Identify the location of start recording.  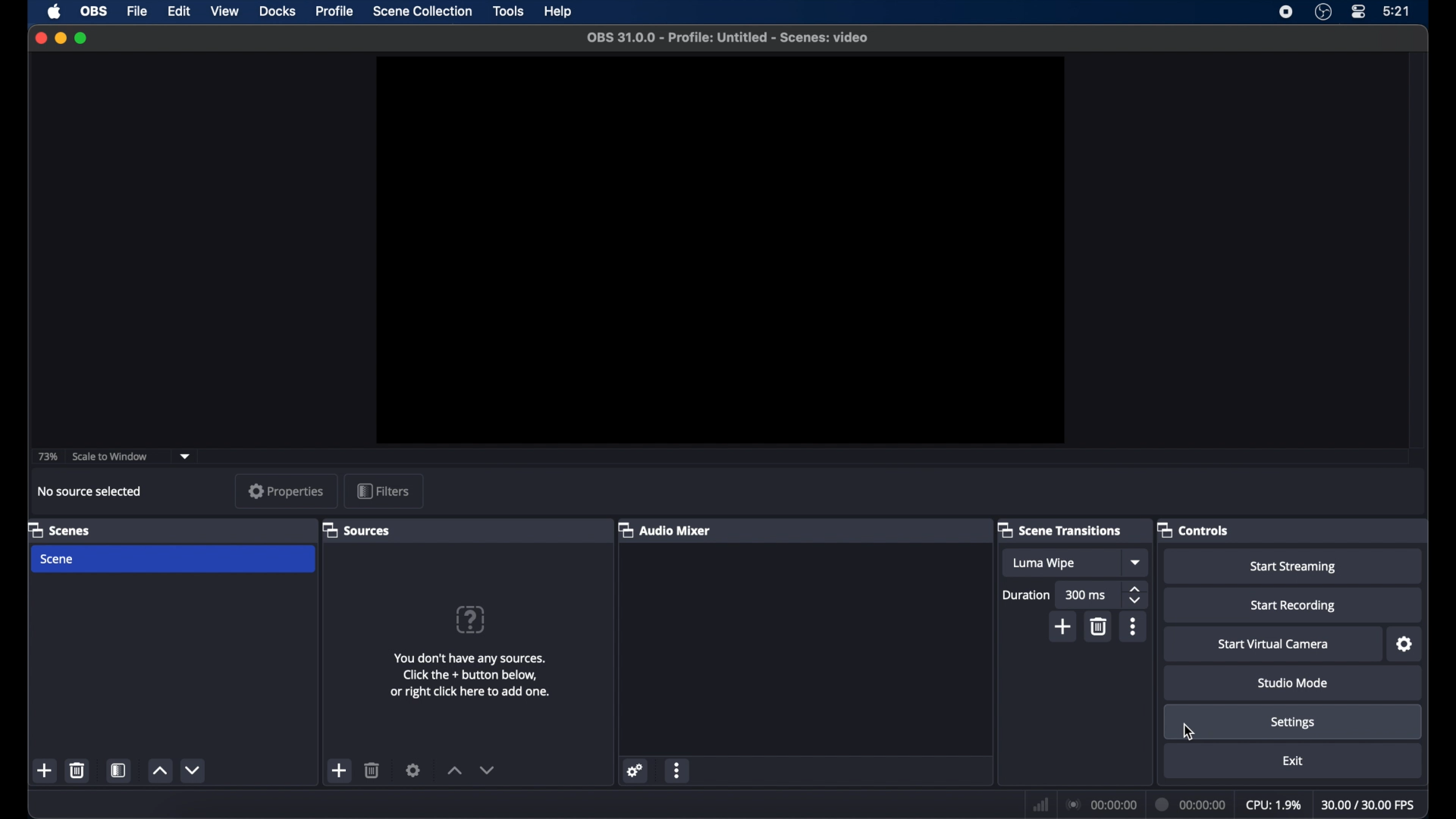
(1292, 607).